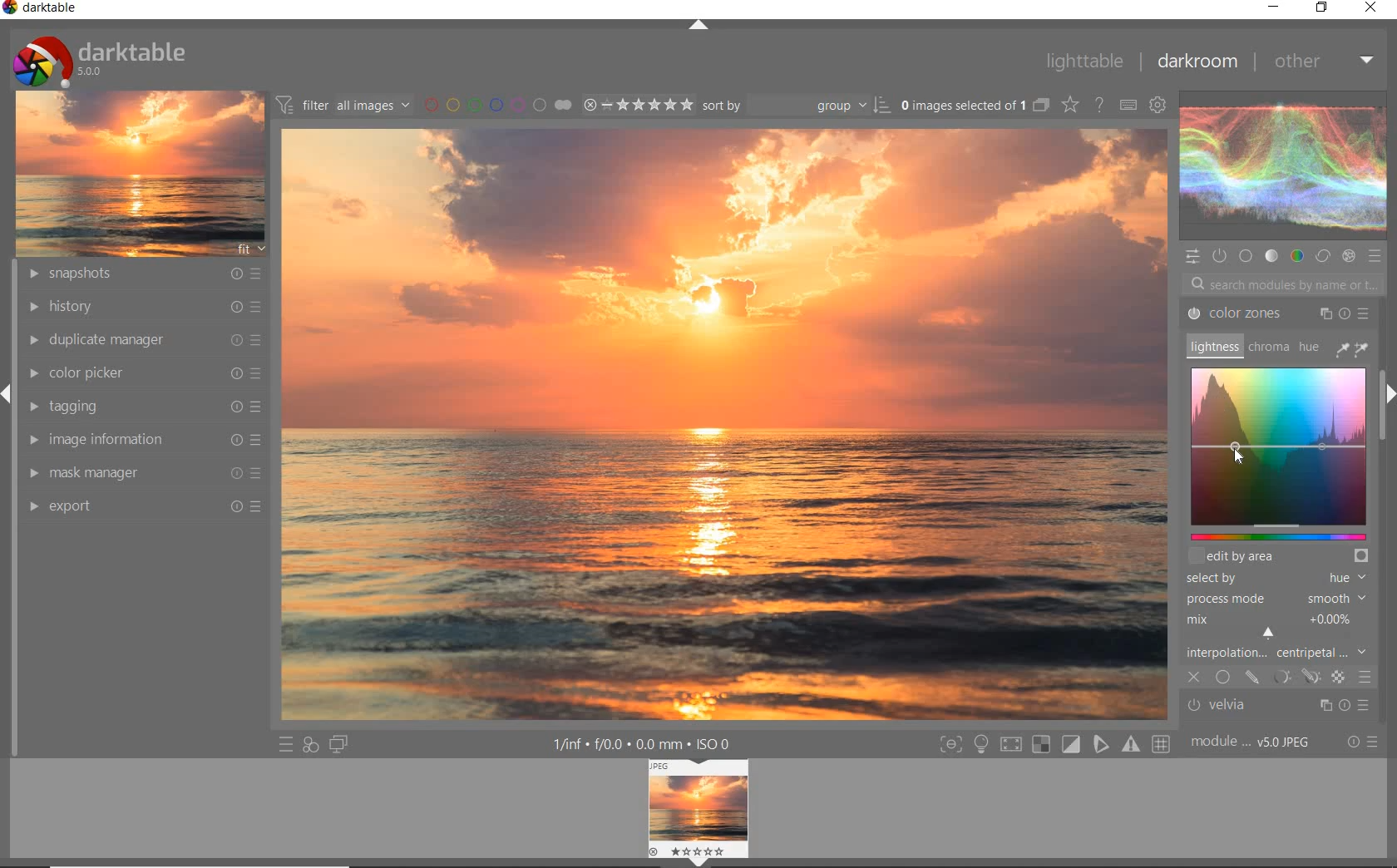 The width and height of the screenshot is (1397, 868). I want to click on DUPLICATE MANAGER, so click(141, 338).